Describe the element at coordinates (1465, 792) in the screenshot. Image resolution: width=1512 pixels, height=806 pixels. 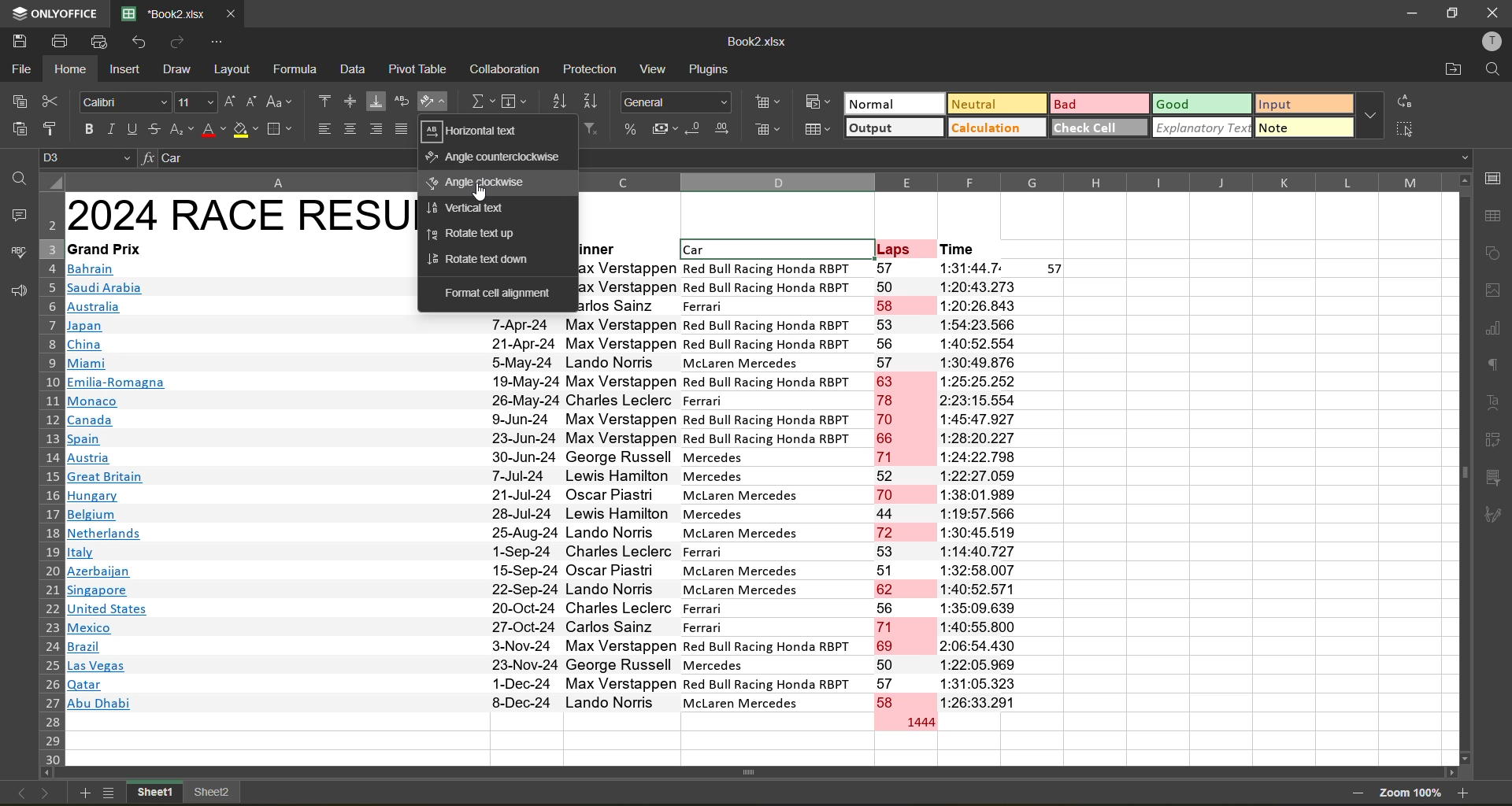
I see `zoom in` at that location.